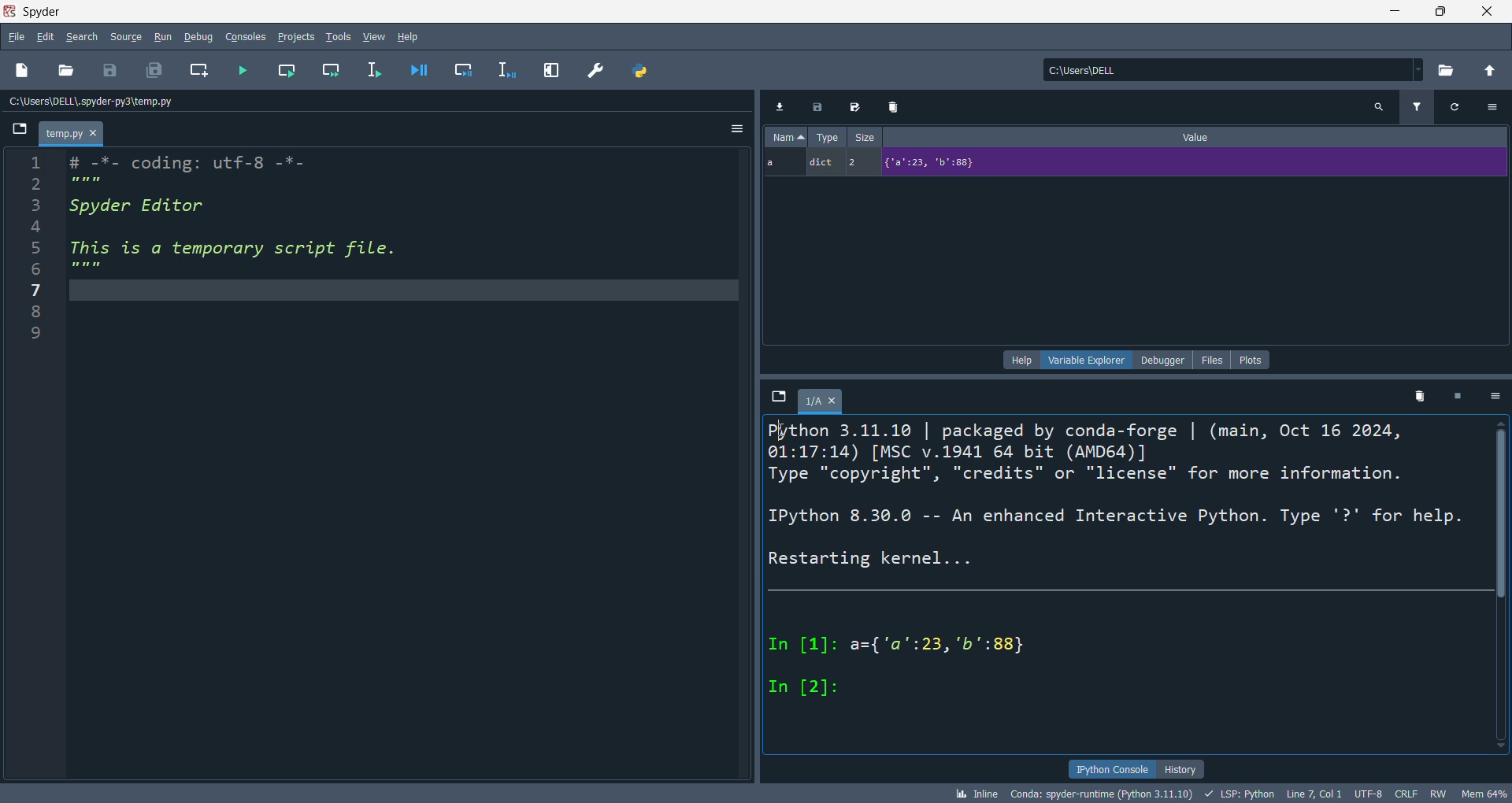  What do you see at coordinates (154, 68) in the screenshot?
I see `save all` at bounding box center [154, 68].